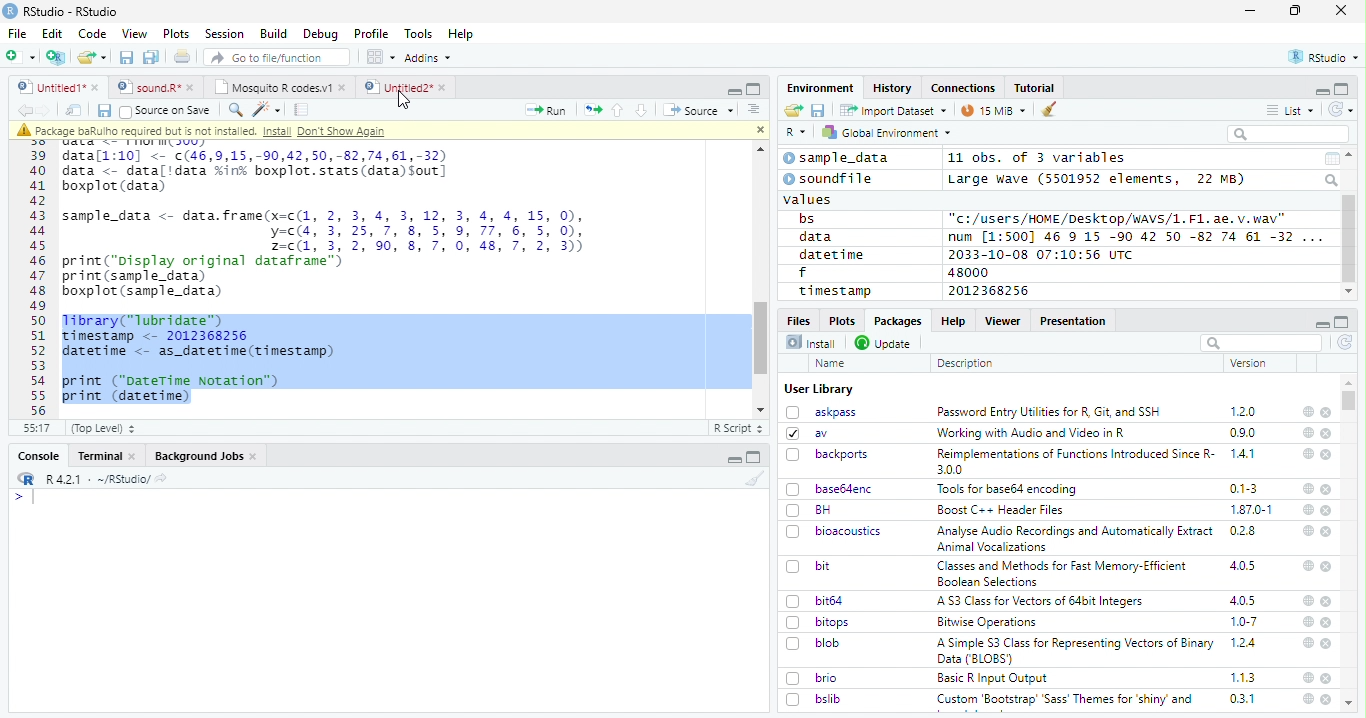  Describe the element at coordinates (966, 272) in the screenshot. I see `48000` at that location.